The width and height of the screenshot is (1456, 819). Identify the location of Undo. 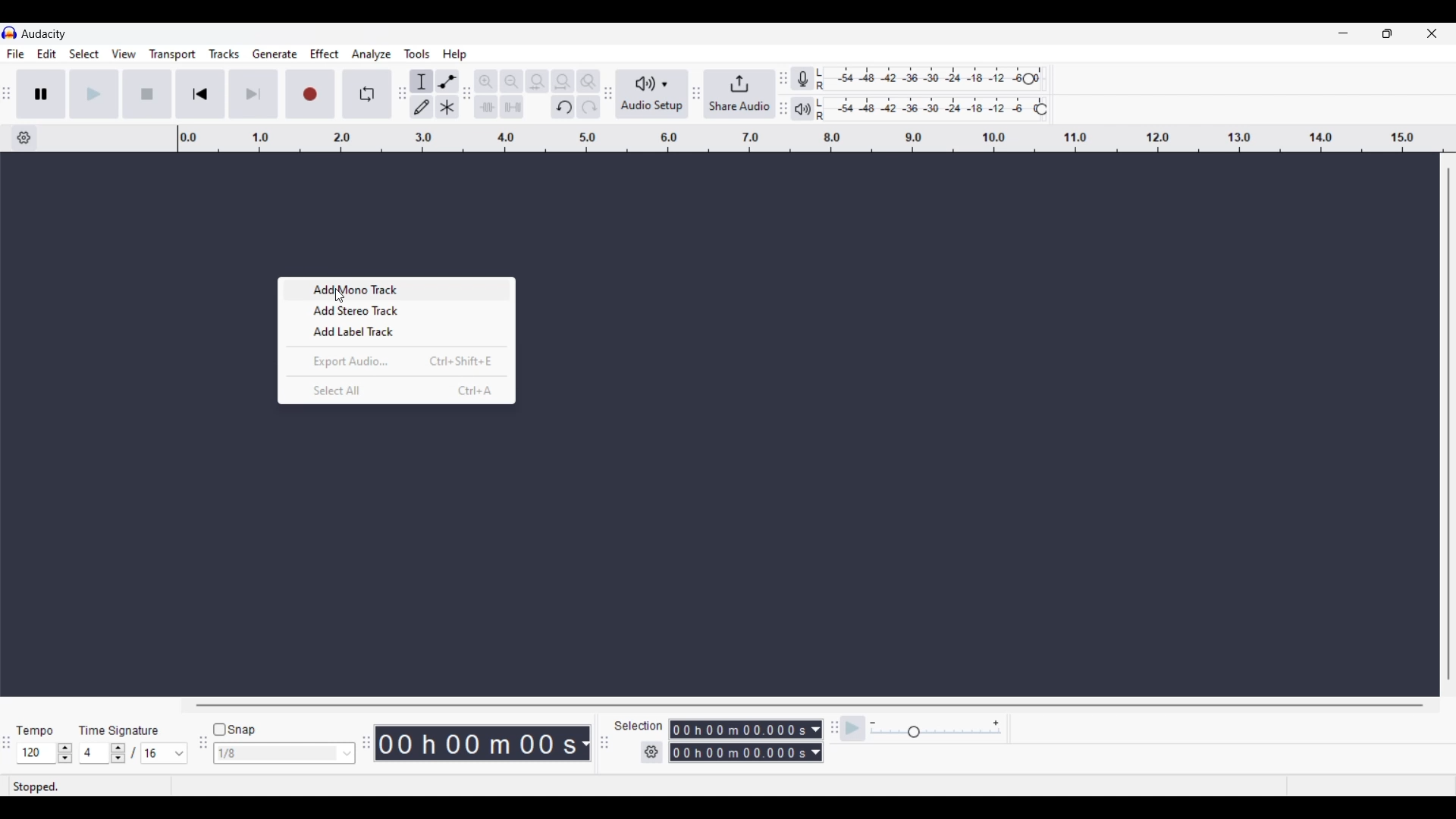
(563, 107).